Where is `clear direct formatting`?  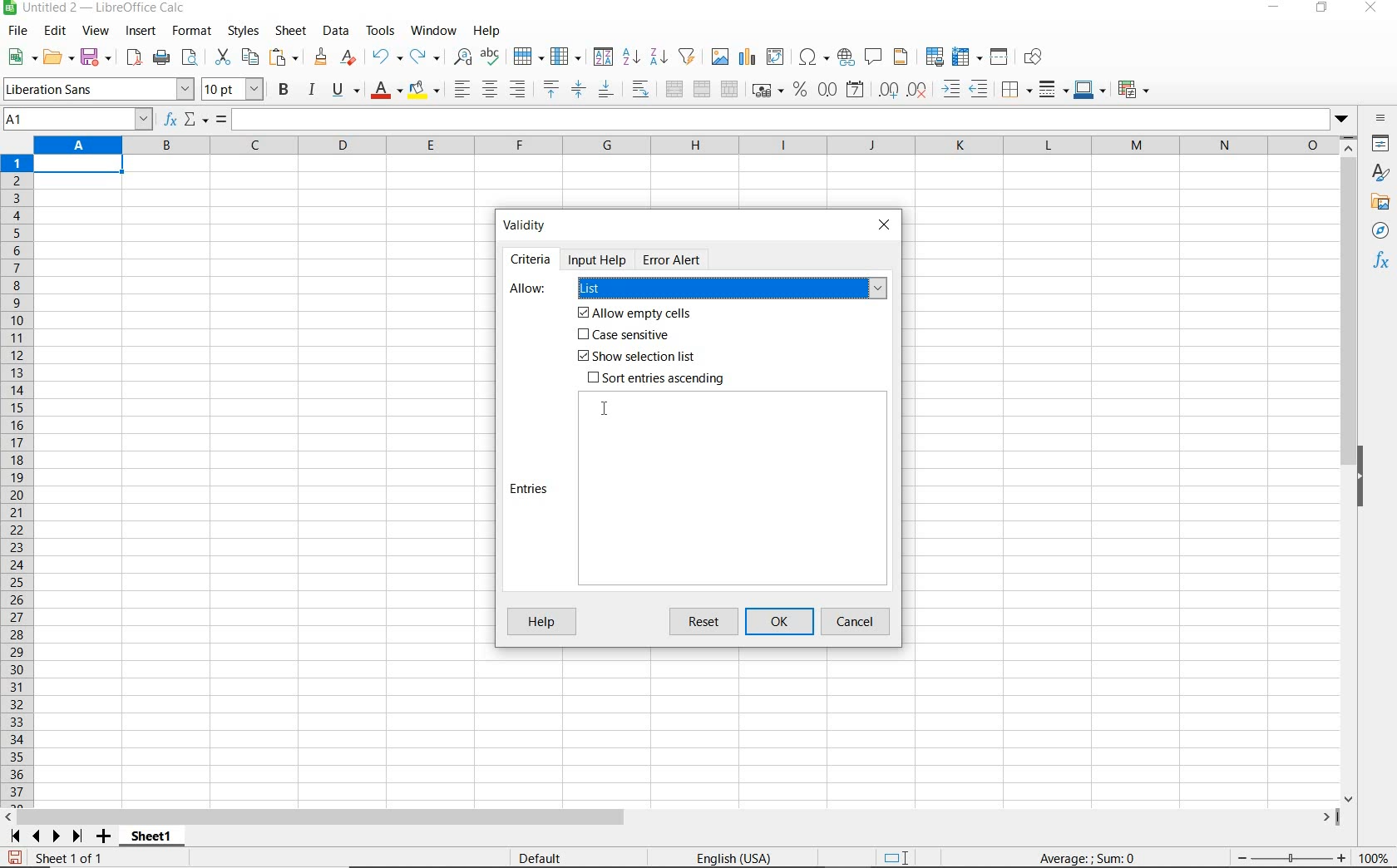 clear direct formatting is located at coordinates (350, 57).